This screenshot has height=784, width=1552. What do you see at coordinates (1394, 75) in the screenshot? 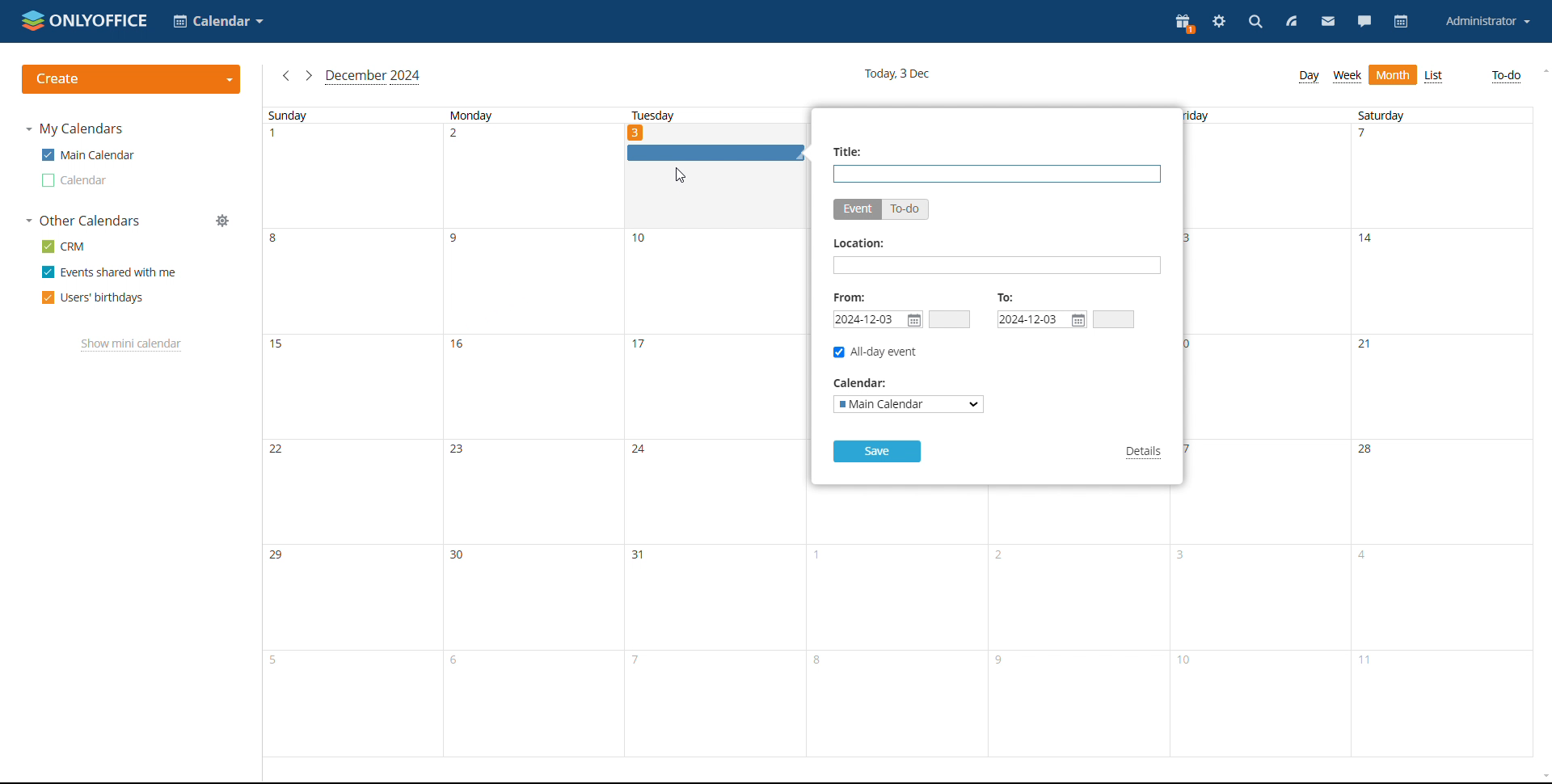
I see `month view` at bounding box center [1394, 75].